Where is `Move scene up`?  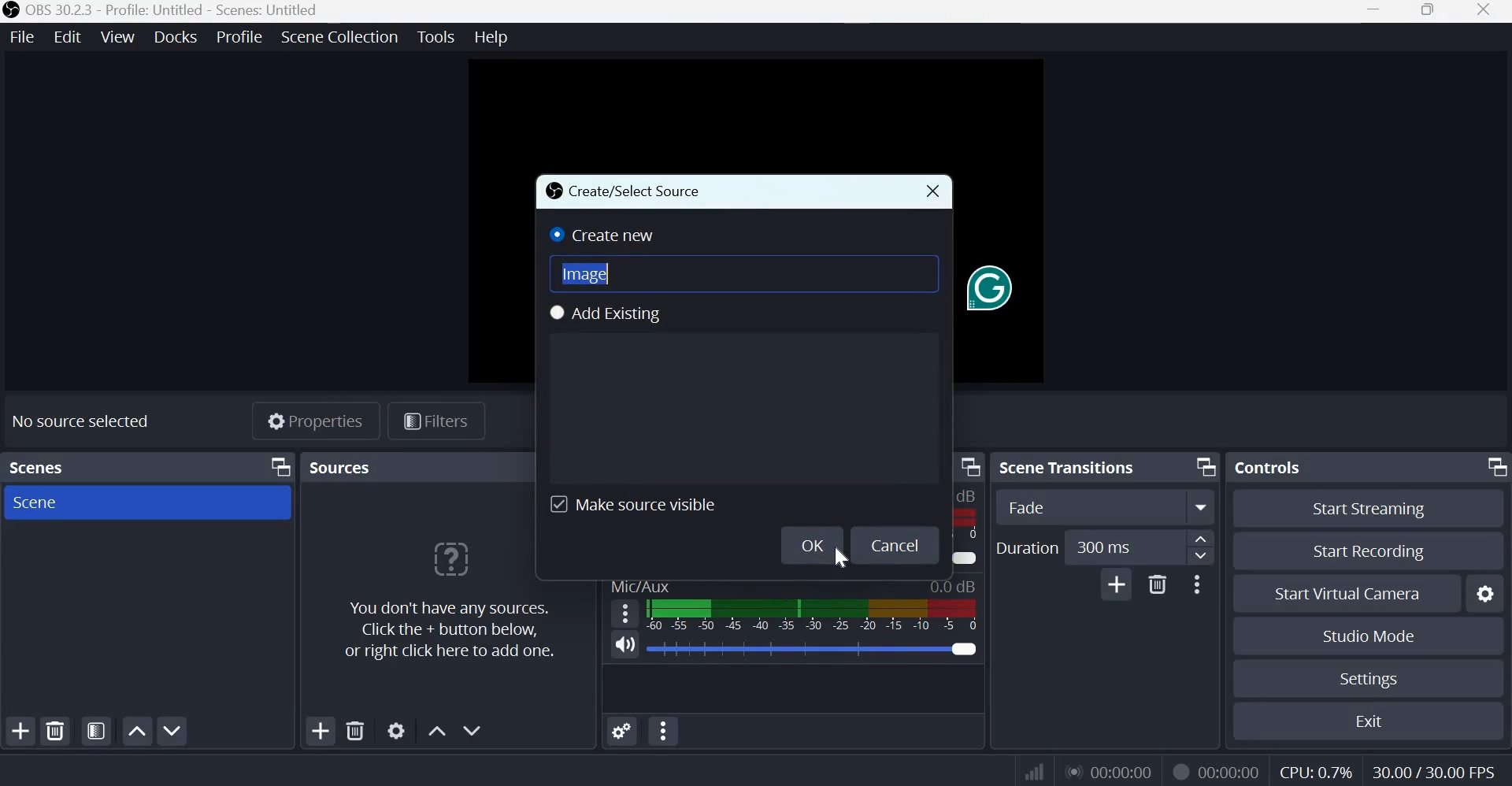 Move scene up is located at coordinates (138, 731).